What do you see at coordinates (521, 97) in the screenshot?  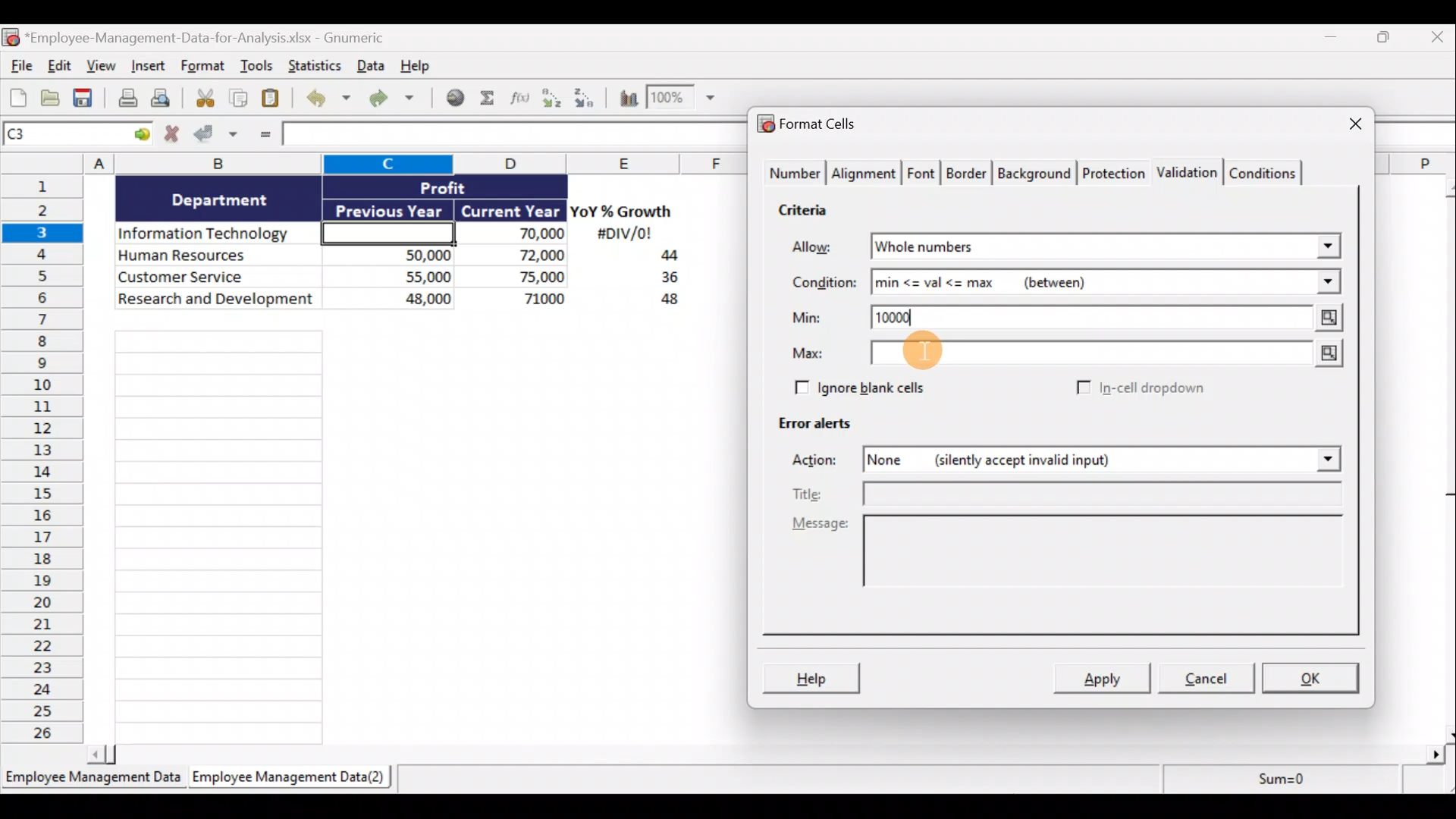 I see `Edit a function in the current cell` at bounding box center [521, 97].